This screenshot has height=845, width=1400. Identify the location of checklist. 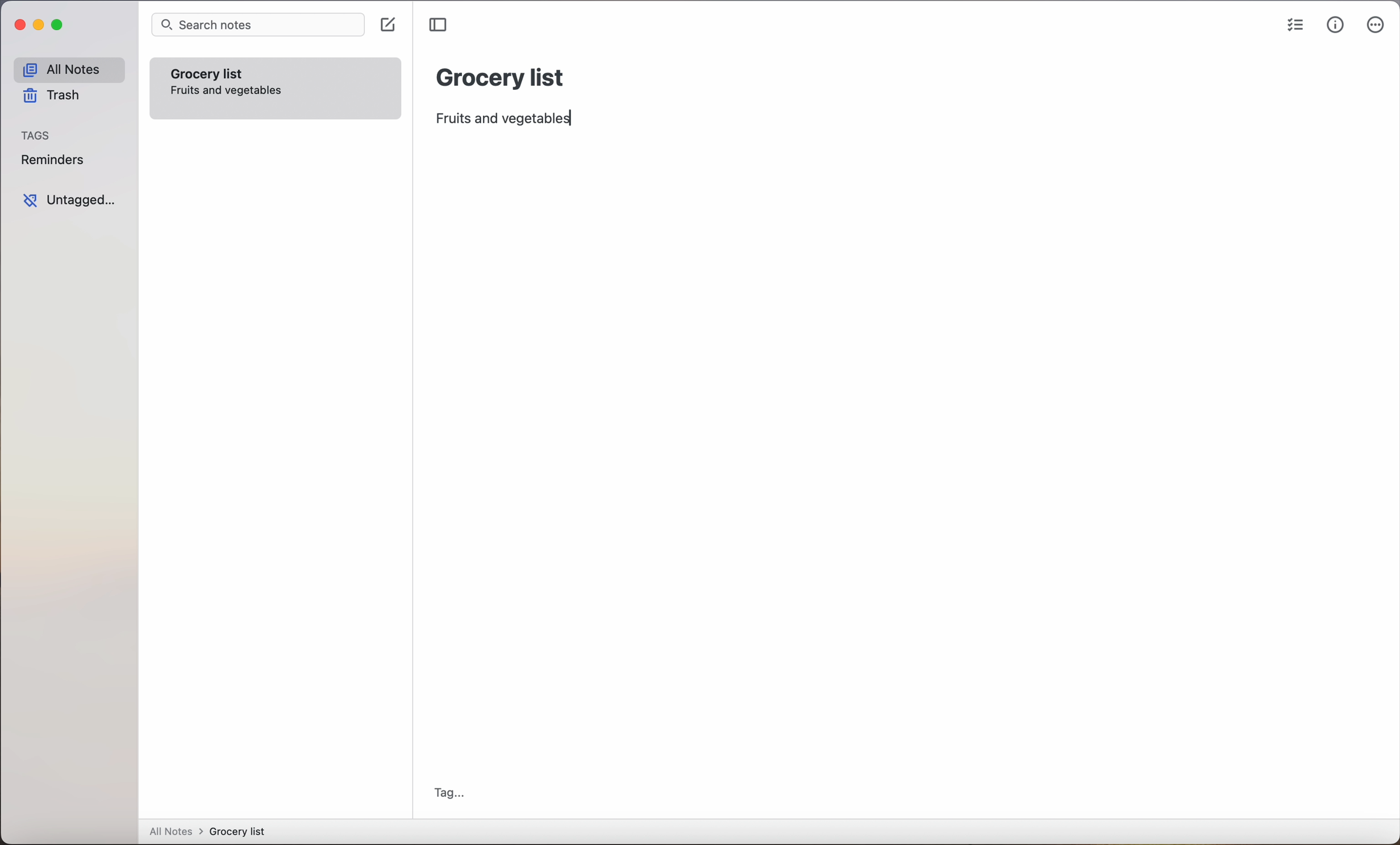
(1296, 26).